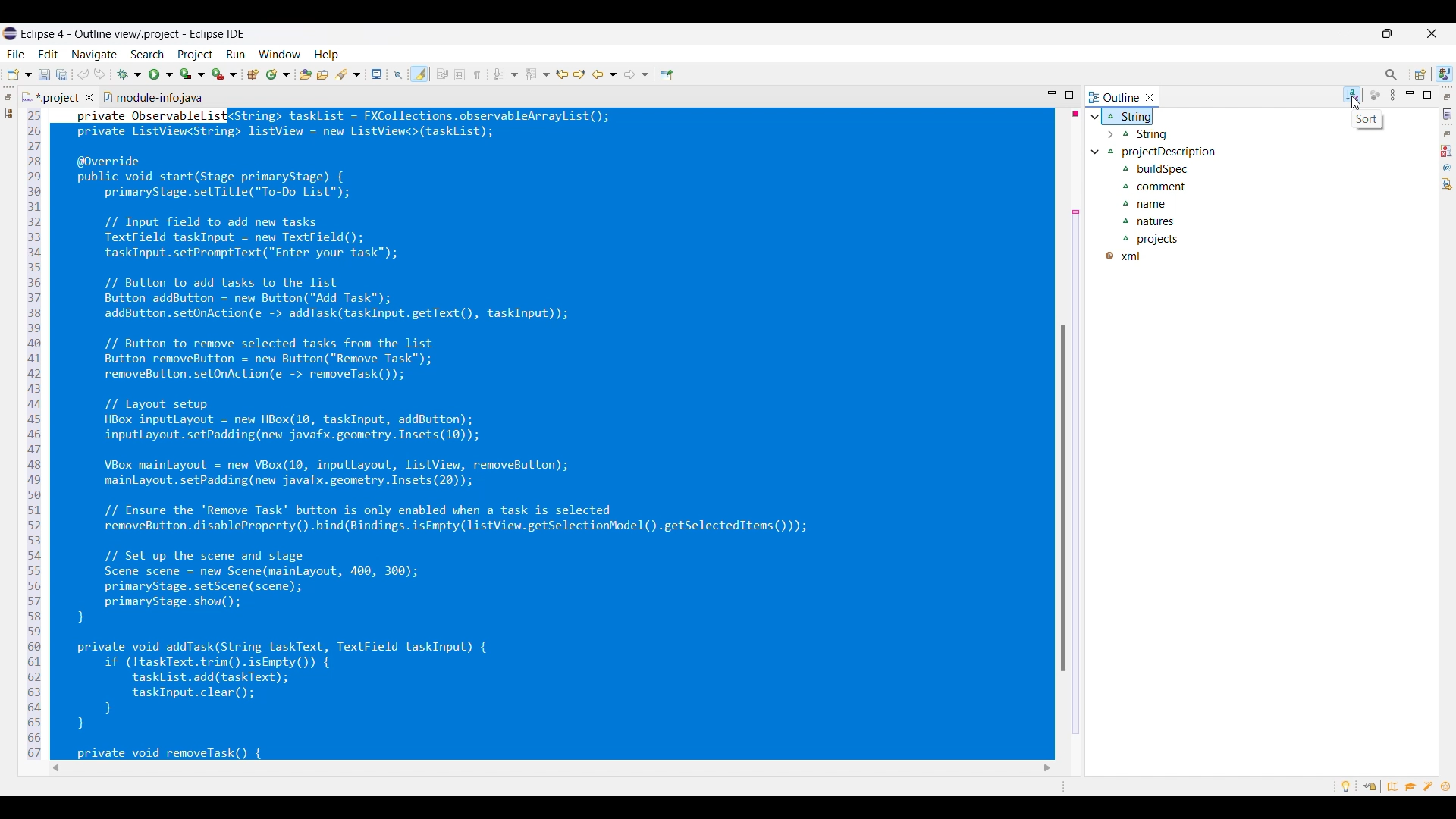  What do you see at coordinates (45, 75) in the screenshot?
I see `Save` at bounding box center [45, 75].